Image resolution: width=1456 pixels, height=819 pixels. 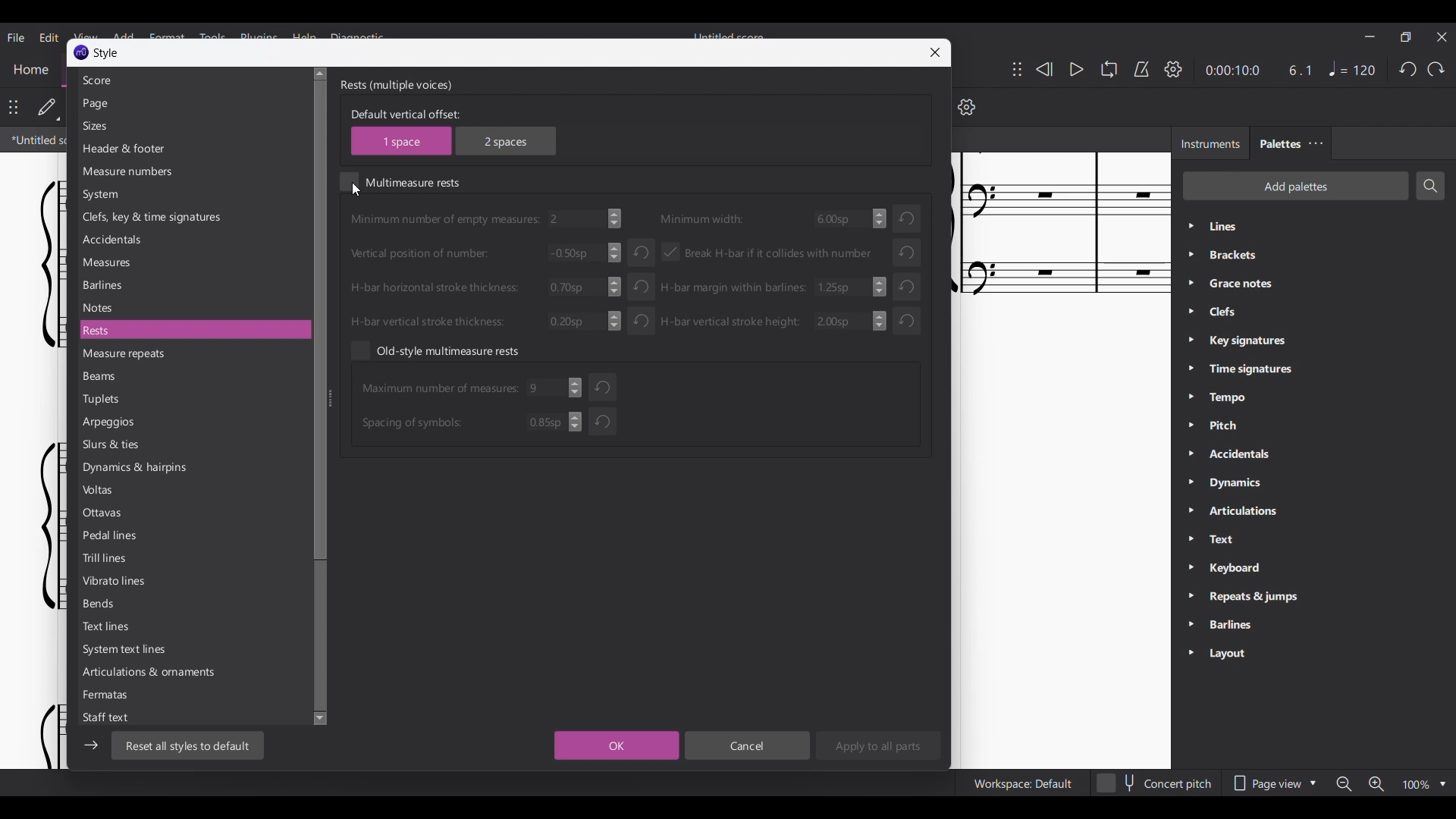 I want to click on Rewind, so click(x=1043, y=69).